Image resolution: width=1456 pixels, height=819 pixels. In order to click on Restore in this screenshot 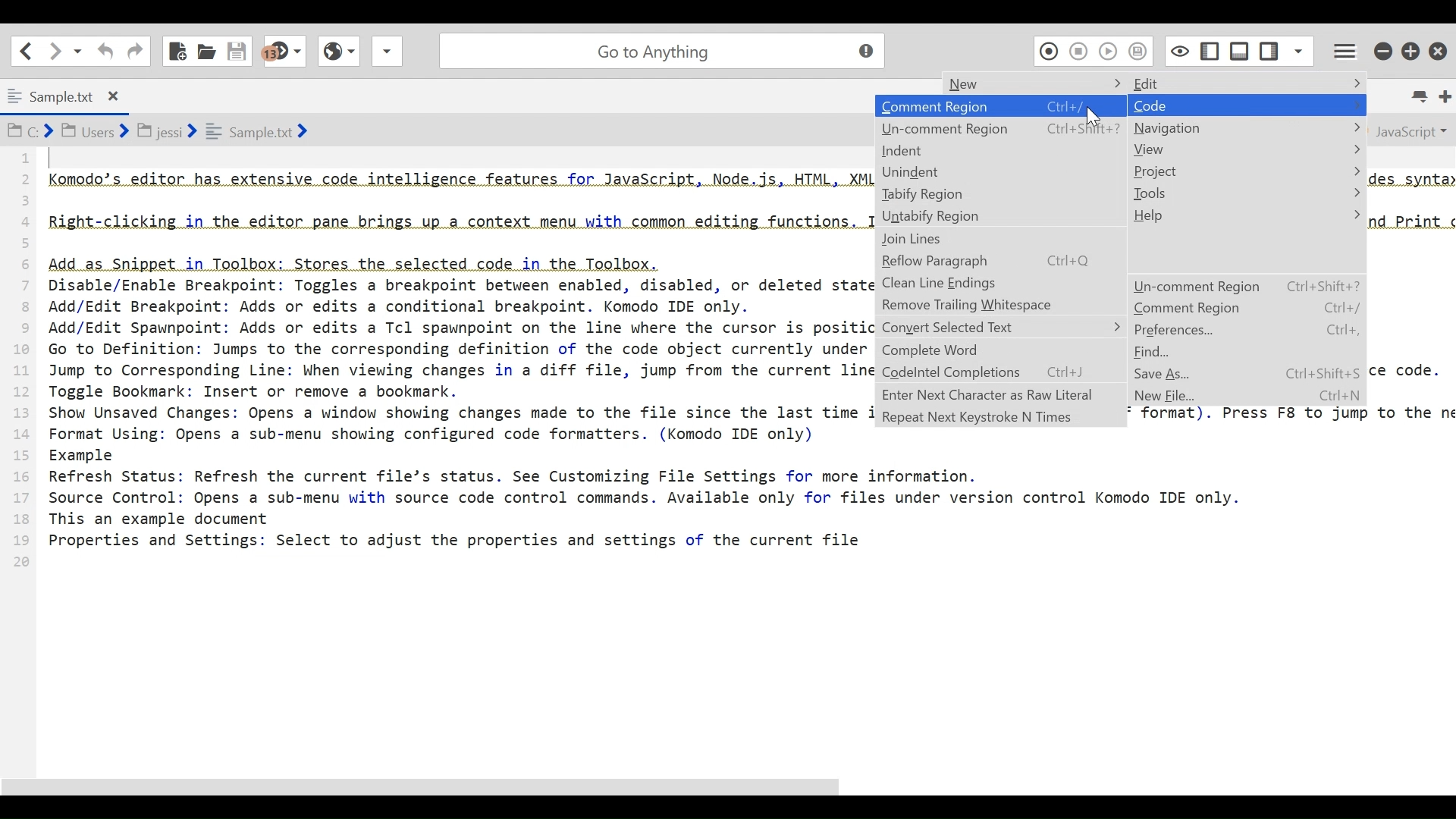, I will do `click(1412, 49)`.